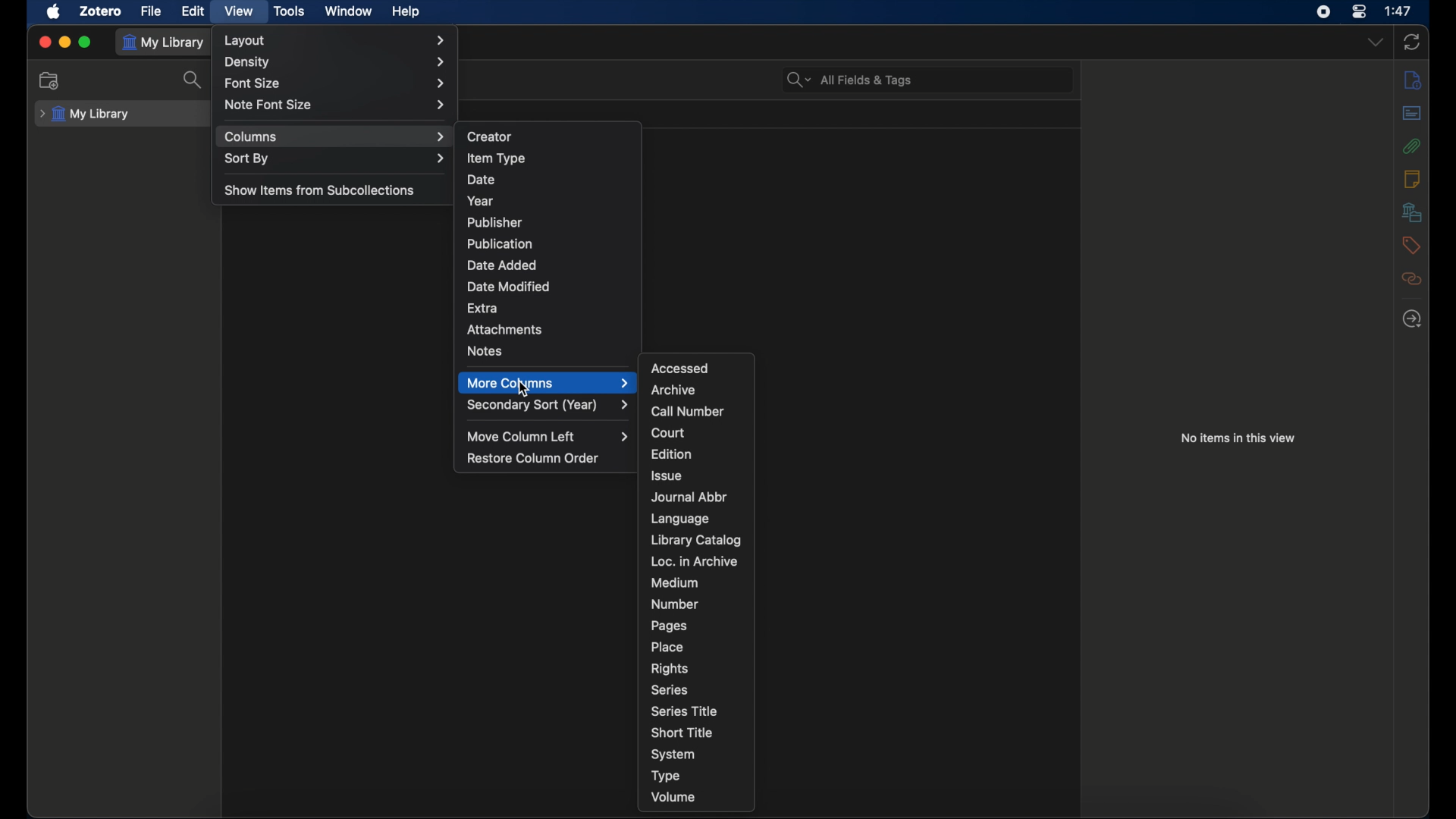  I want to click on new collection, so click(51, 80).